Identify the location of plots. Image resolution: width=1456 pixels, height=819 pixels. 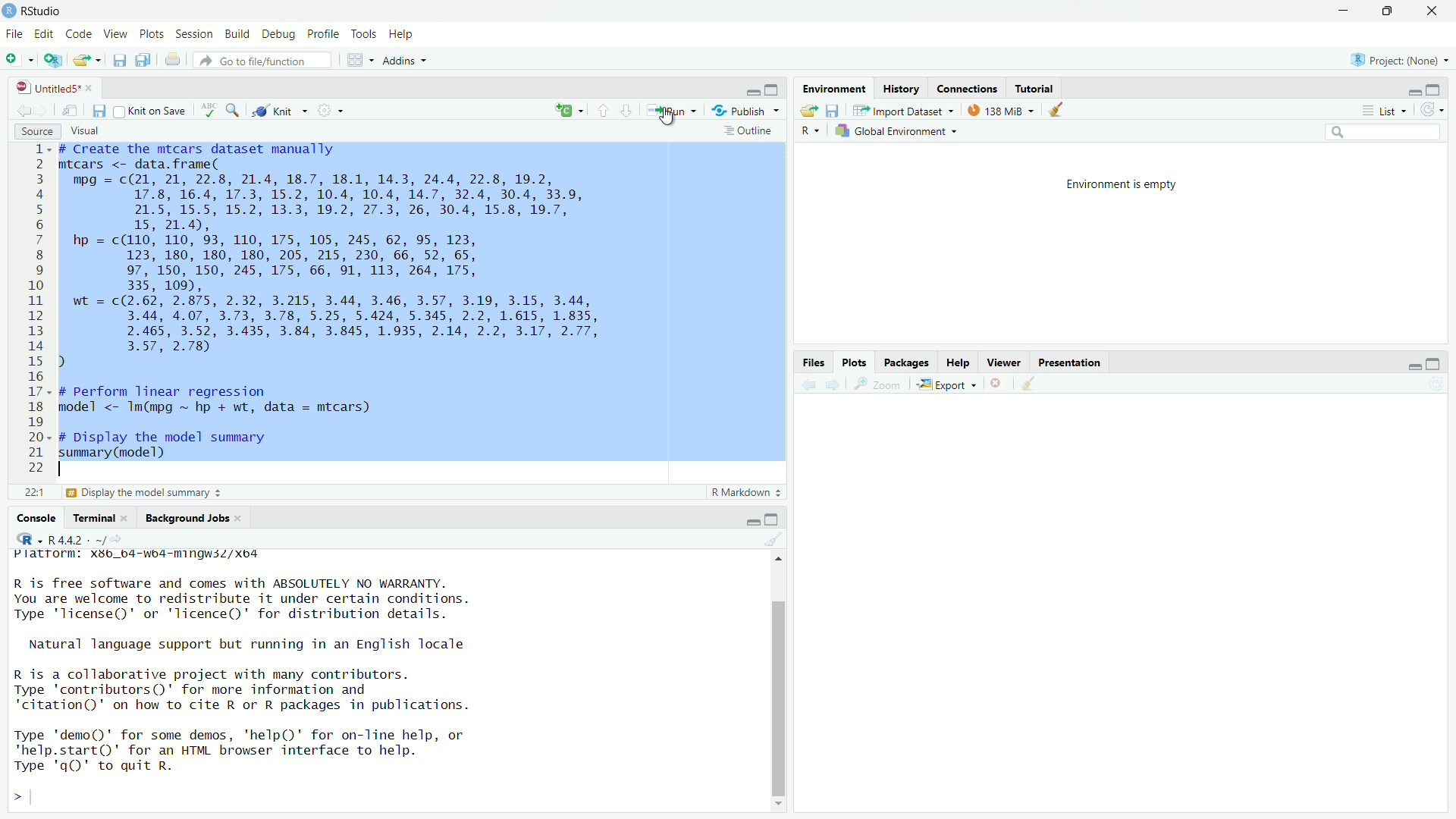
(152, 34).